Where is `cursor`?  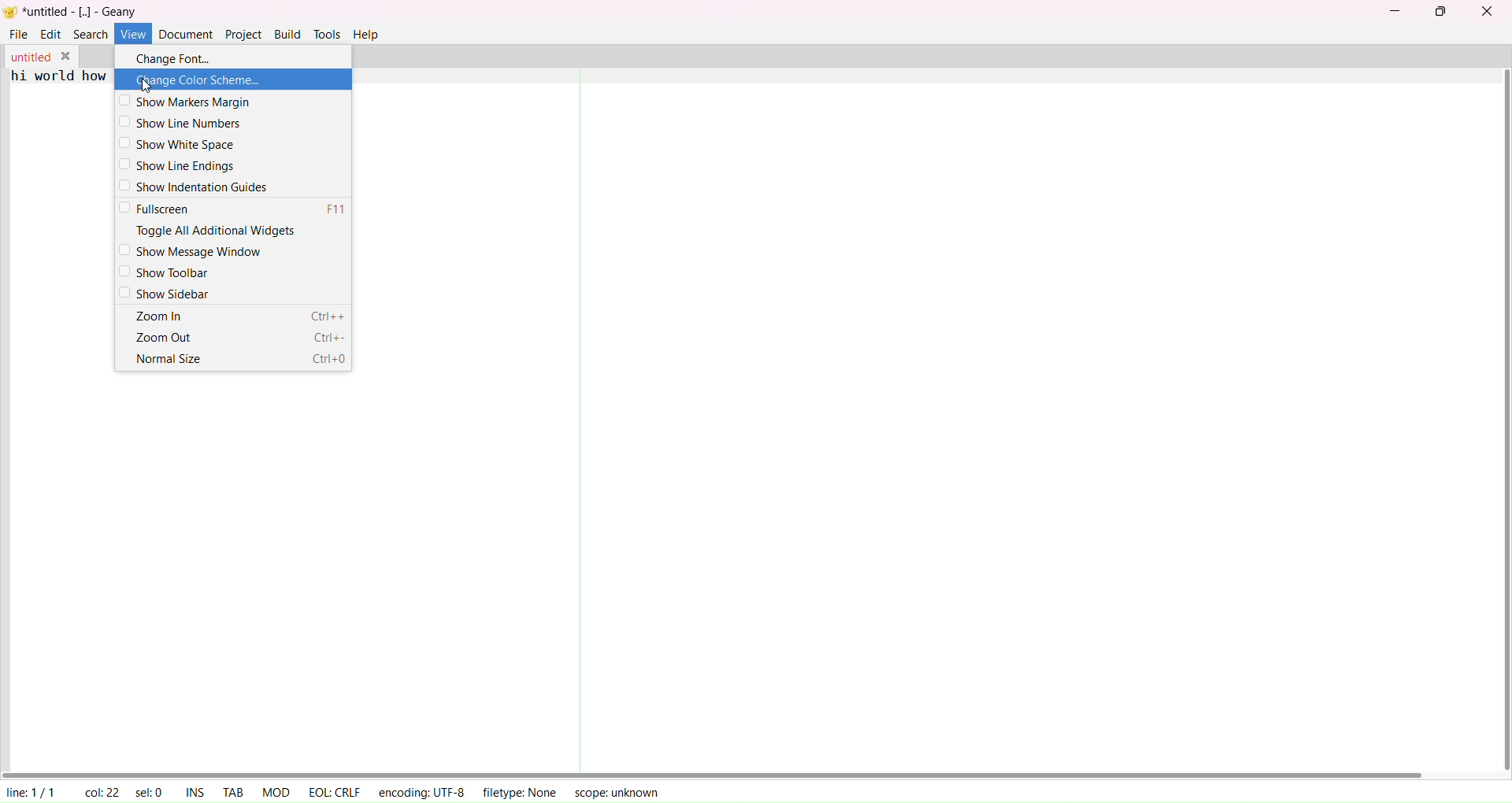 cursor is located at coordinates (146, 87).